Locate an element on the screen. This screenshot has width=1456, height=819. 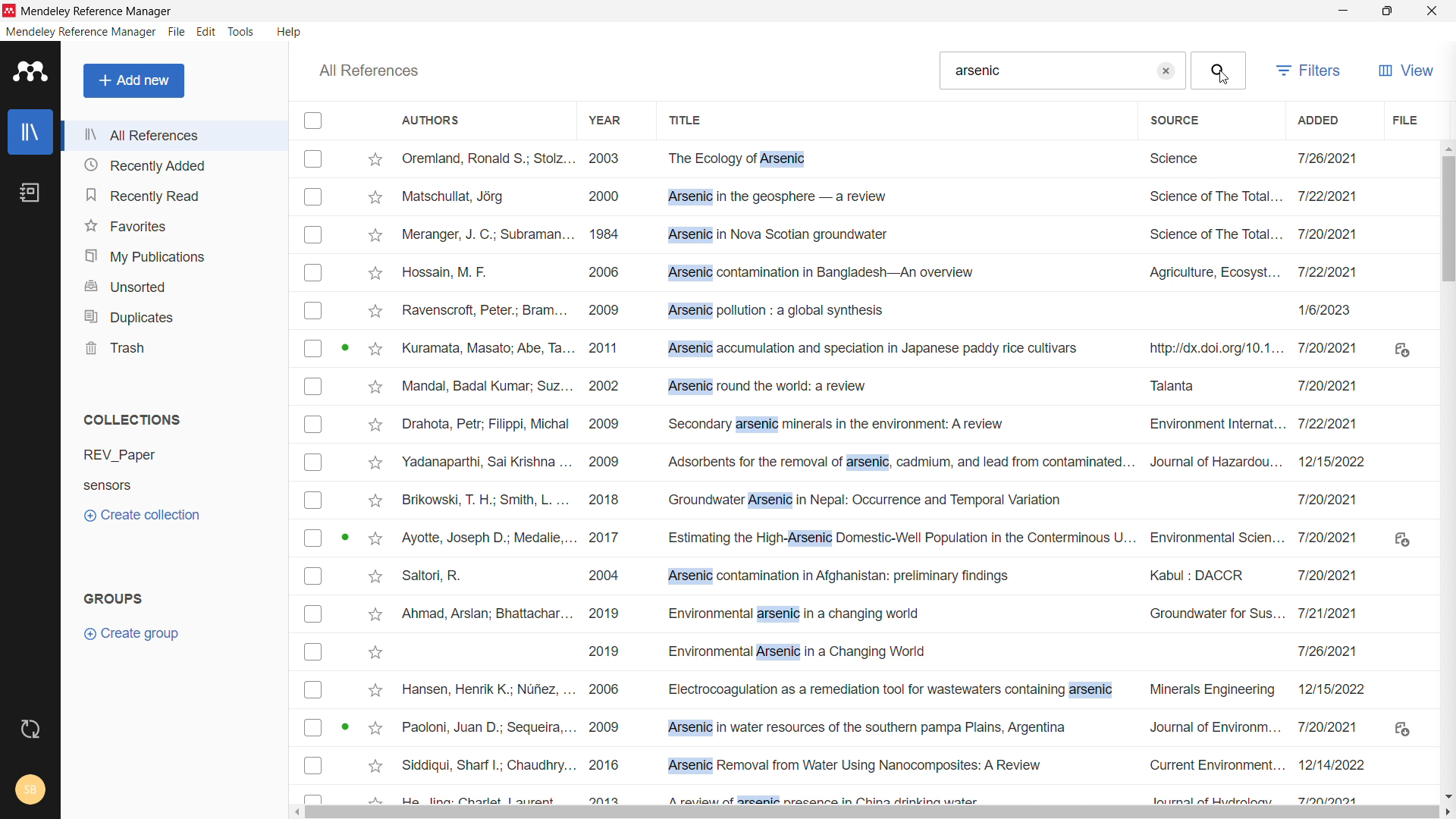
recently read is located at coordinates (174, 193).